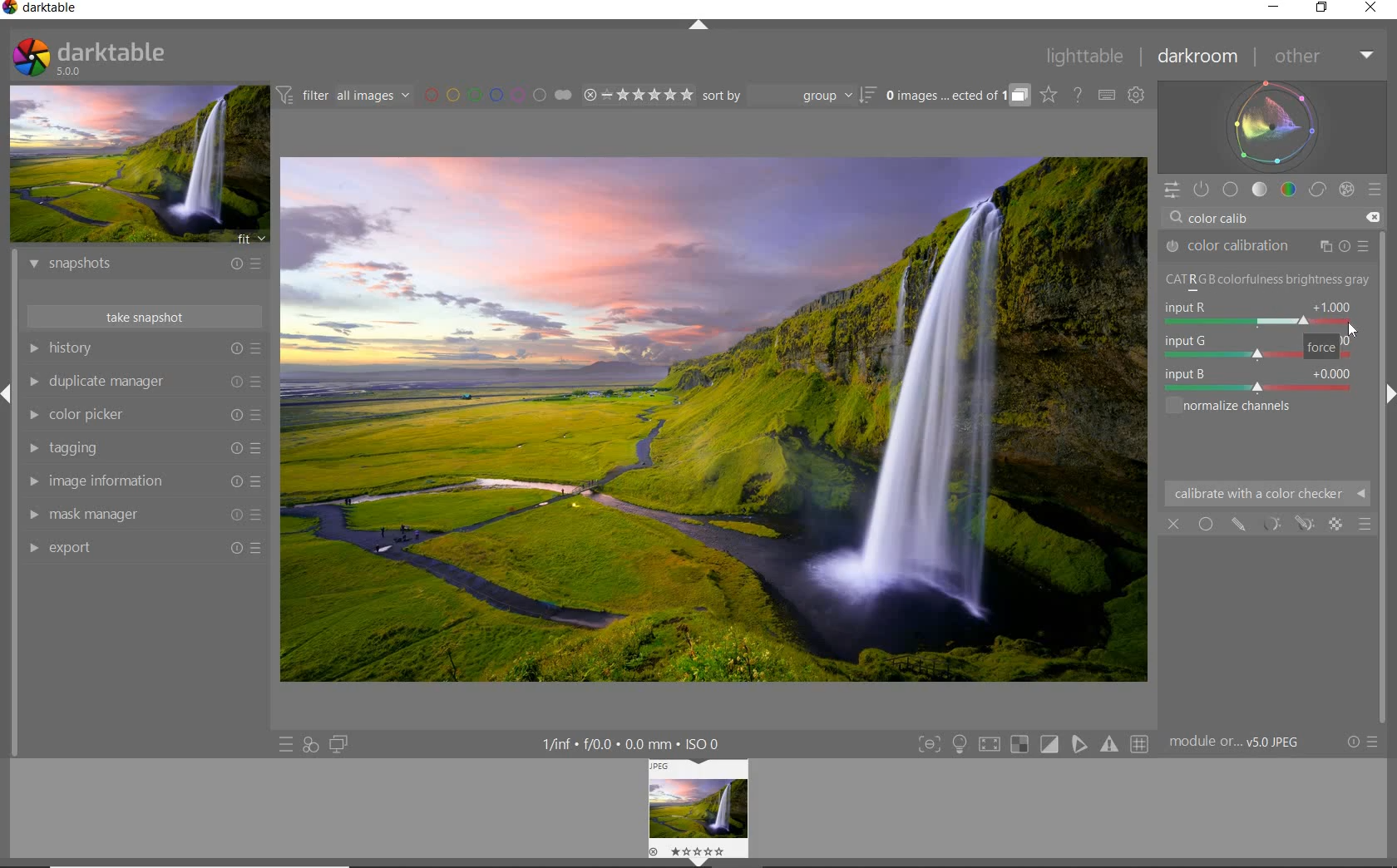  I want to click on SHOW ONLY ACTIVE MODULES, so click(1202, 190).